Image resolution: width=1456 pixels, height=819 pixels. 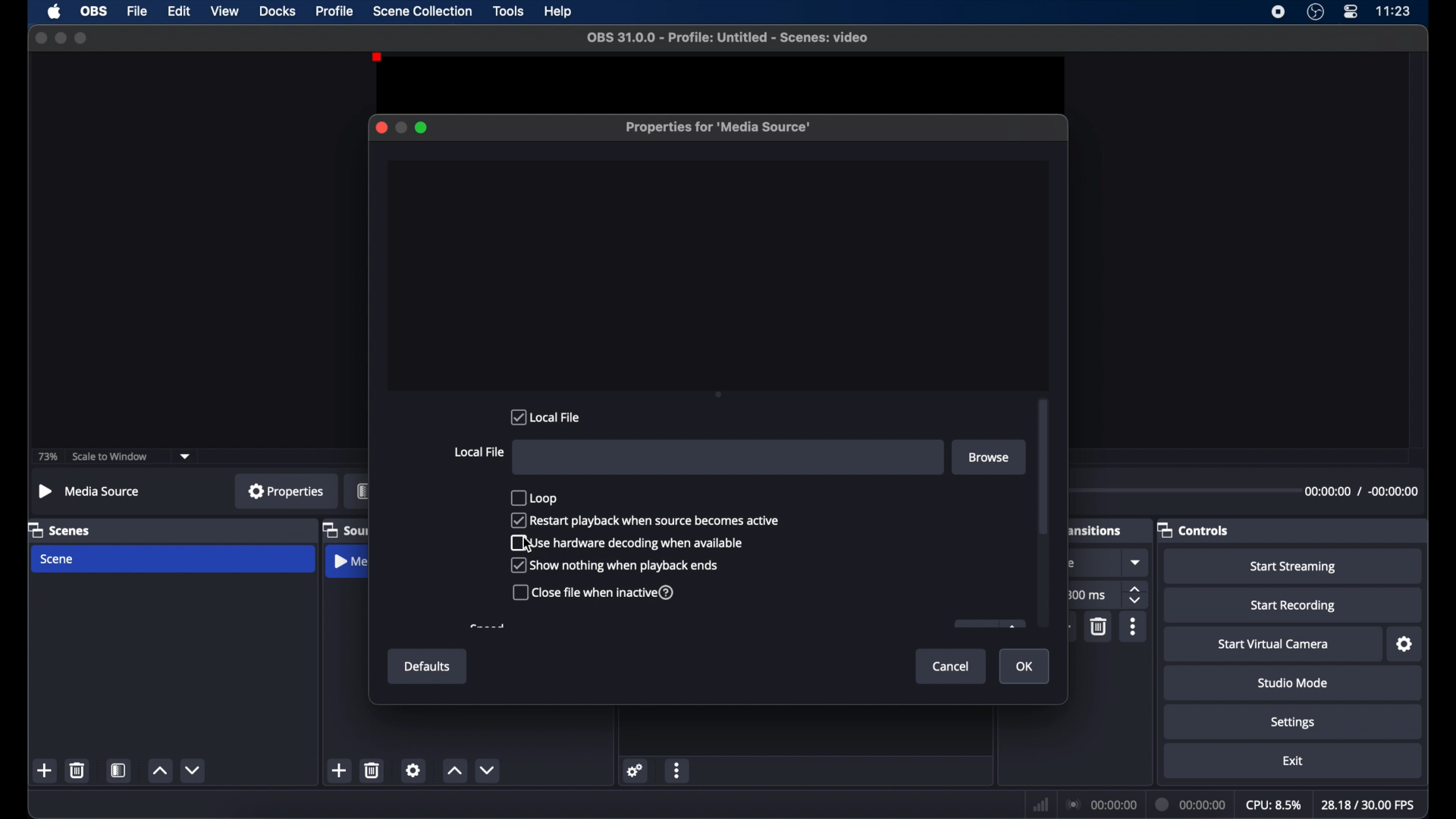 What do you see at coordinates (534, 498) in the screenshot?
I see `loop` at bounding box center [534, 498].